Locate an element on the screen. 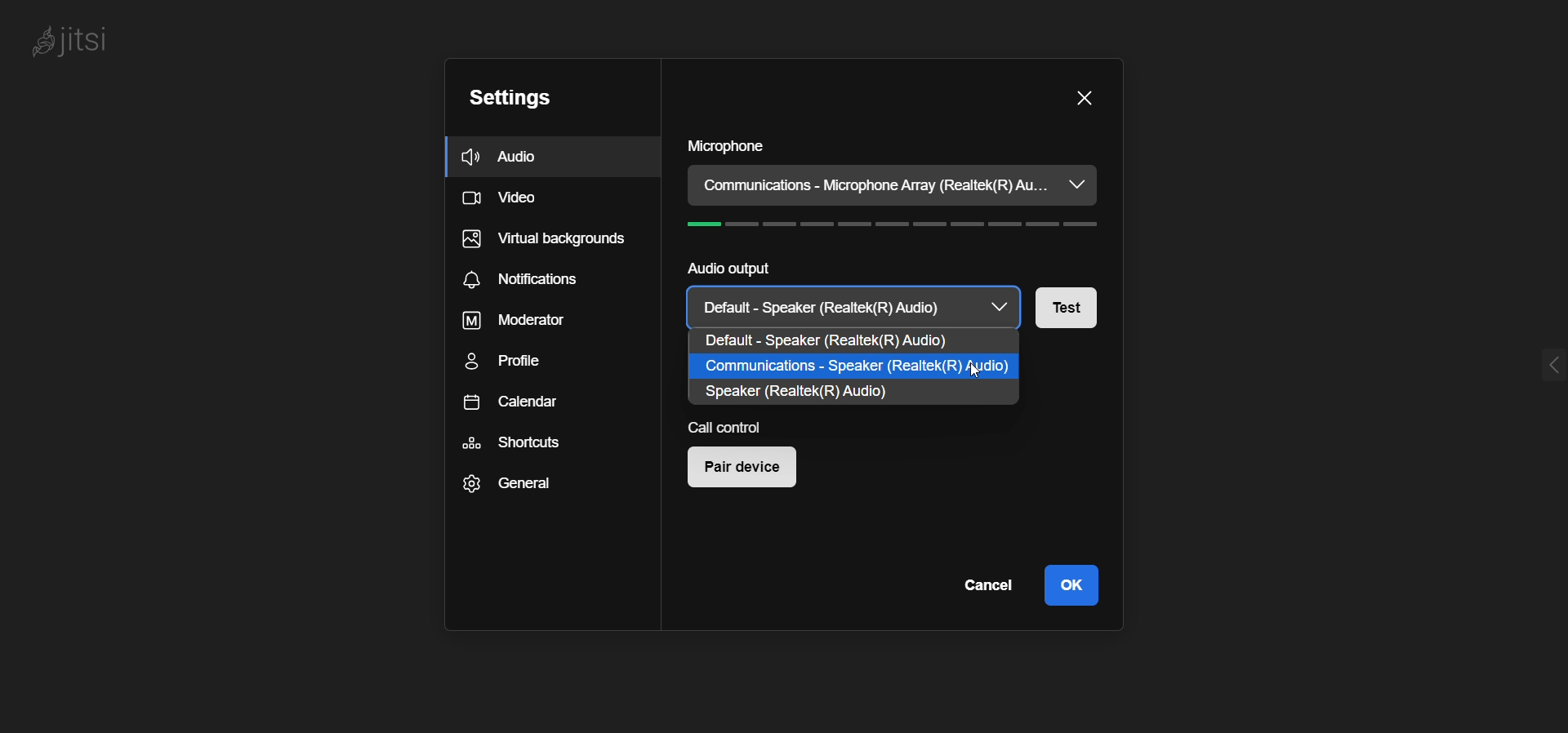 The height and width of the screenshot is (733, 1568). notifications is located at coordinates (523, 282).